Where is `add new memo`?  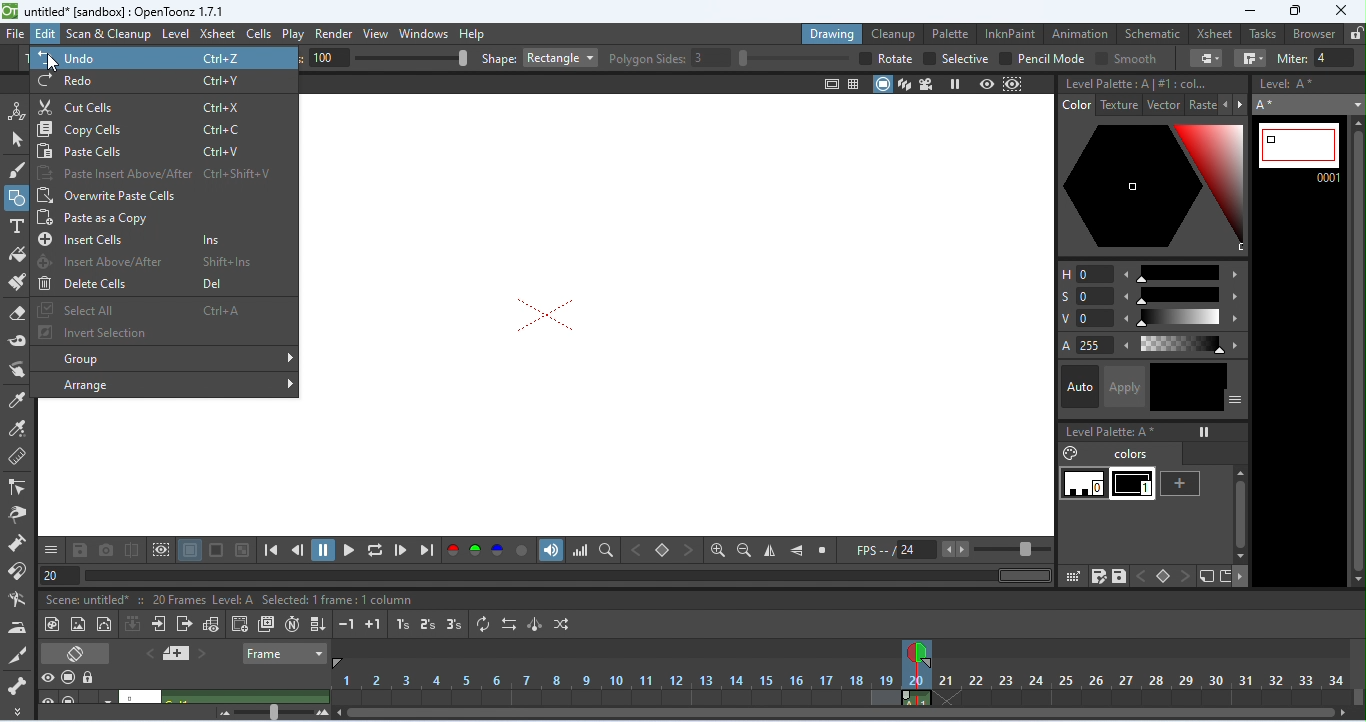
add new memo is located at coordinates (177, 653).